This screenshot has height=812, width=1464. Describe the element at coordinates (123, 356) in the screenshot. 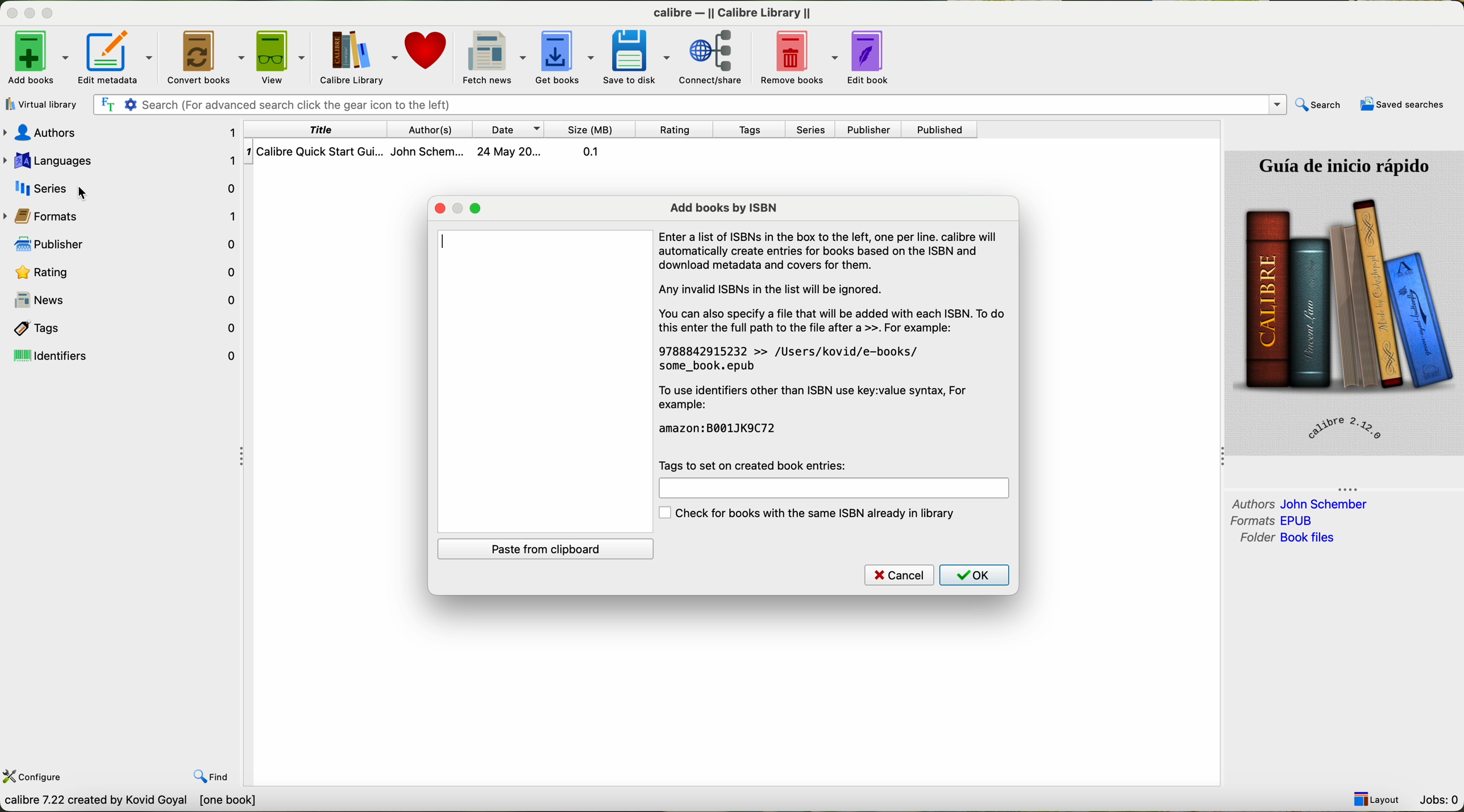

I see `identifiers` at that location.